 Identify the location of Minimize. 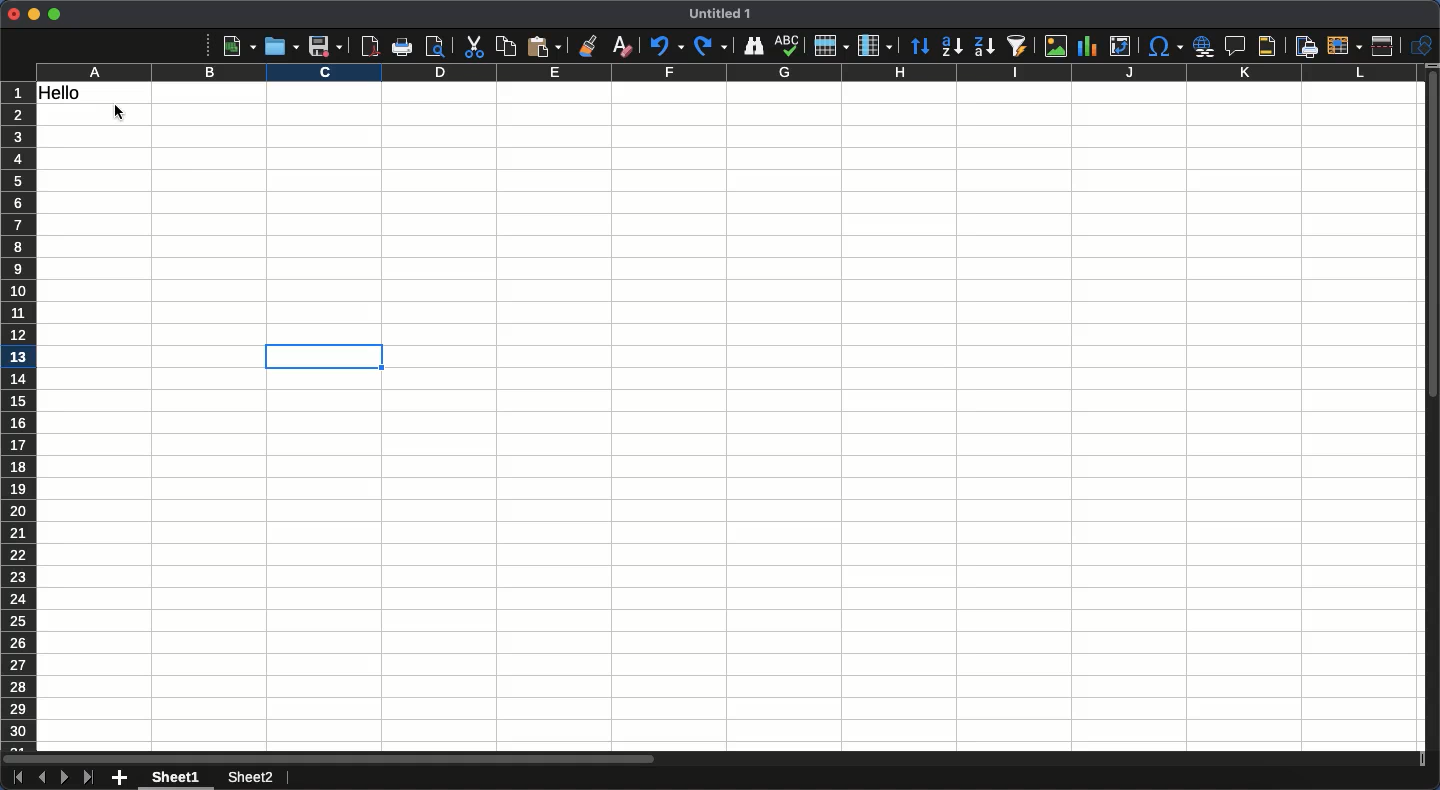
(34, 15).